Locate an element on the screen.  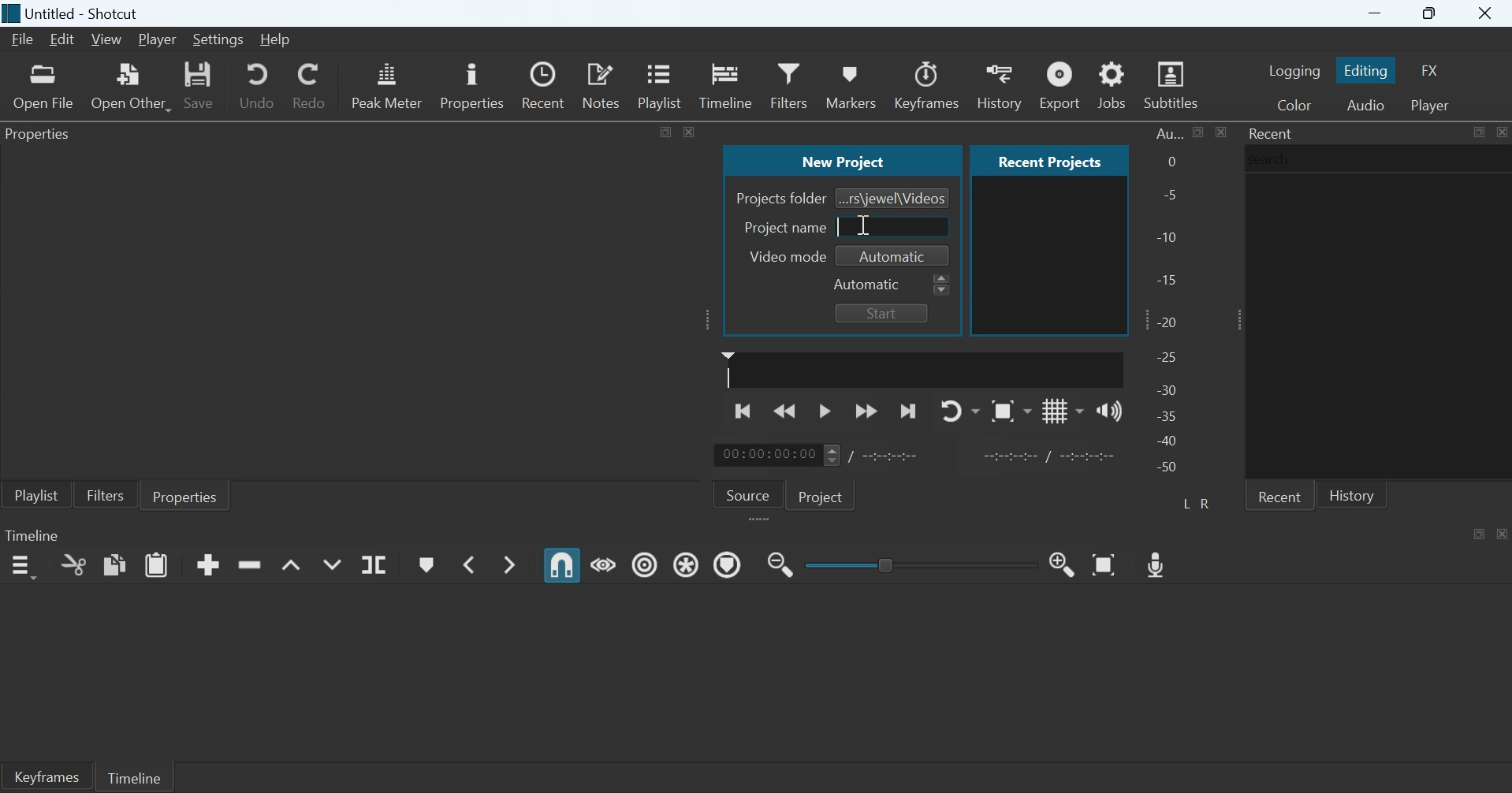
Record Audio is located at coordinates (1158, 563).